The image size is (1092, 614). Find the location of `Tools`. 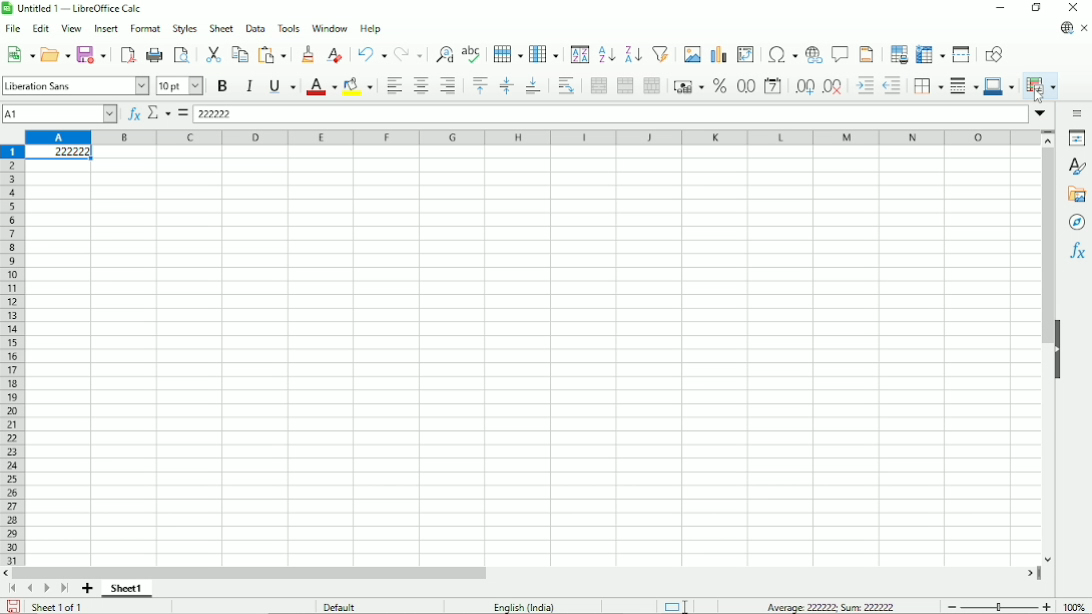

Tools is located at coordinates (287, 27).